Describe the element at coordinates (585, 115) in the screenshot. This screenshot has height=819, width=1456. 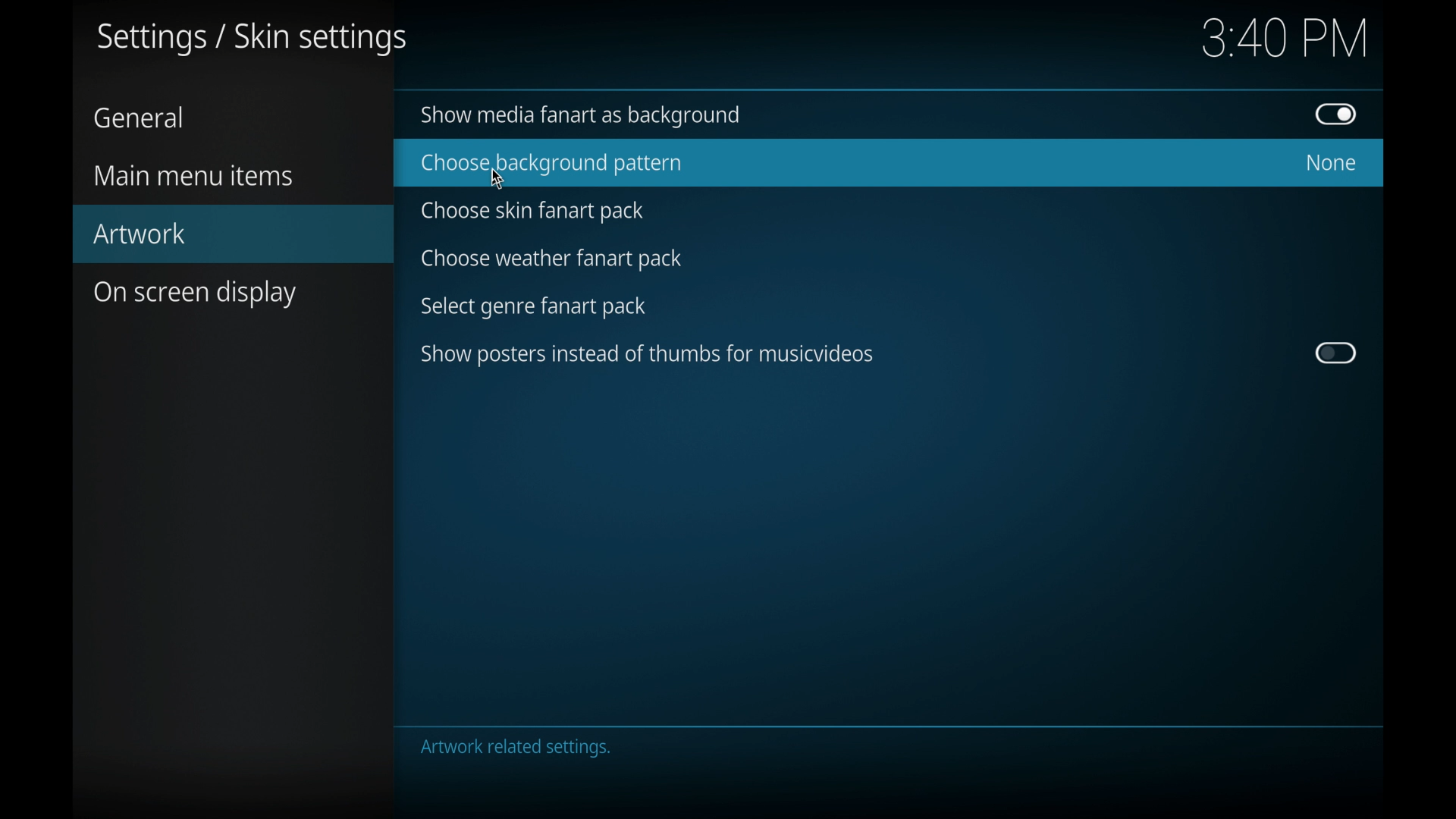
I see `show media fan art as background` at that location.